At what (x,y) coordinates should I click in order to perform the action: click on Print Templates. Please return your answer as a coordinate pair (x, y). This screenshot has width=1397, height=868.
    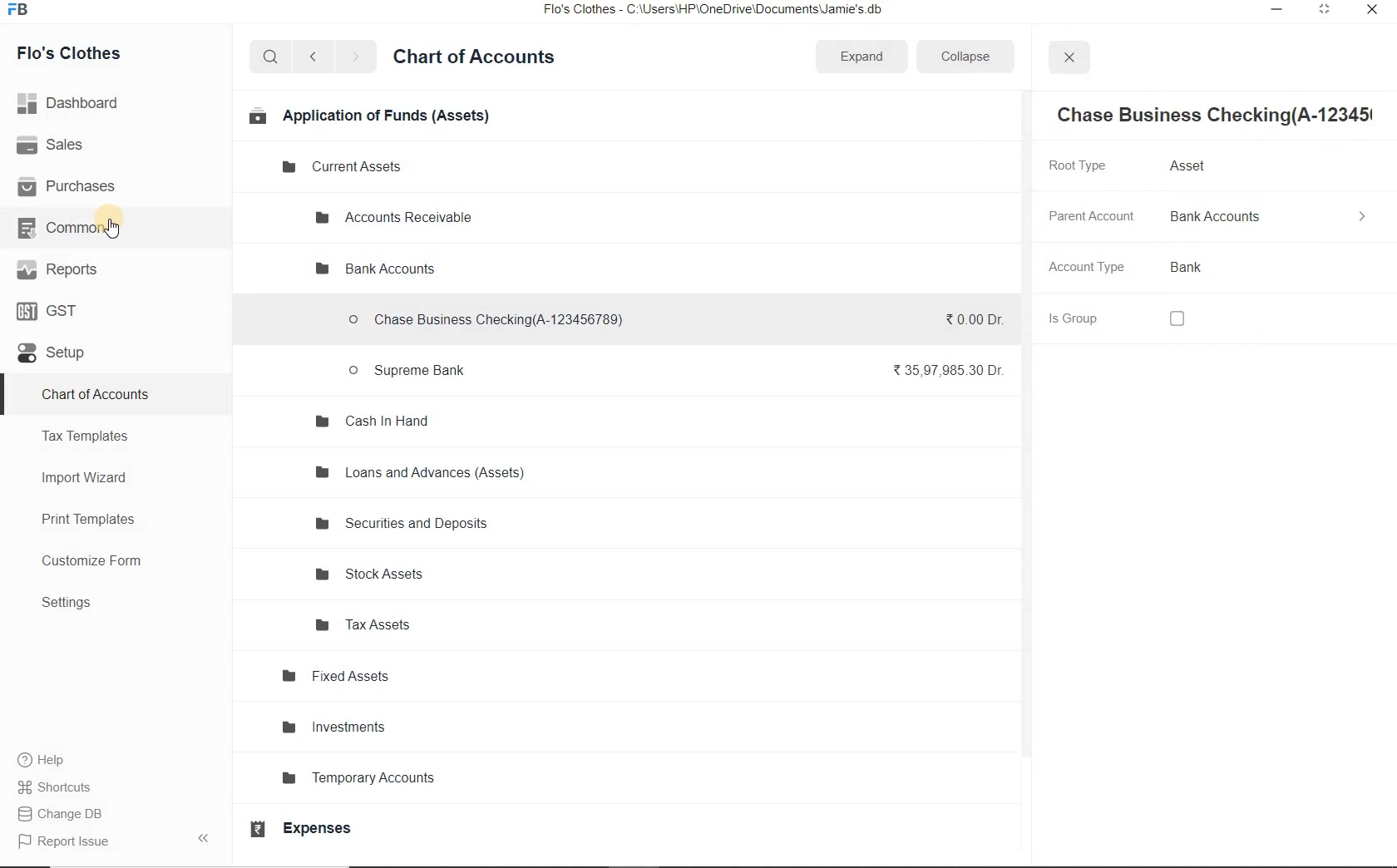
    Looking at the image, I should click on (104, 519).